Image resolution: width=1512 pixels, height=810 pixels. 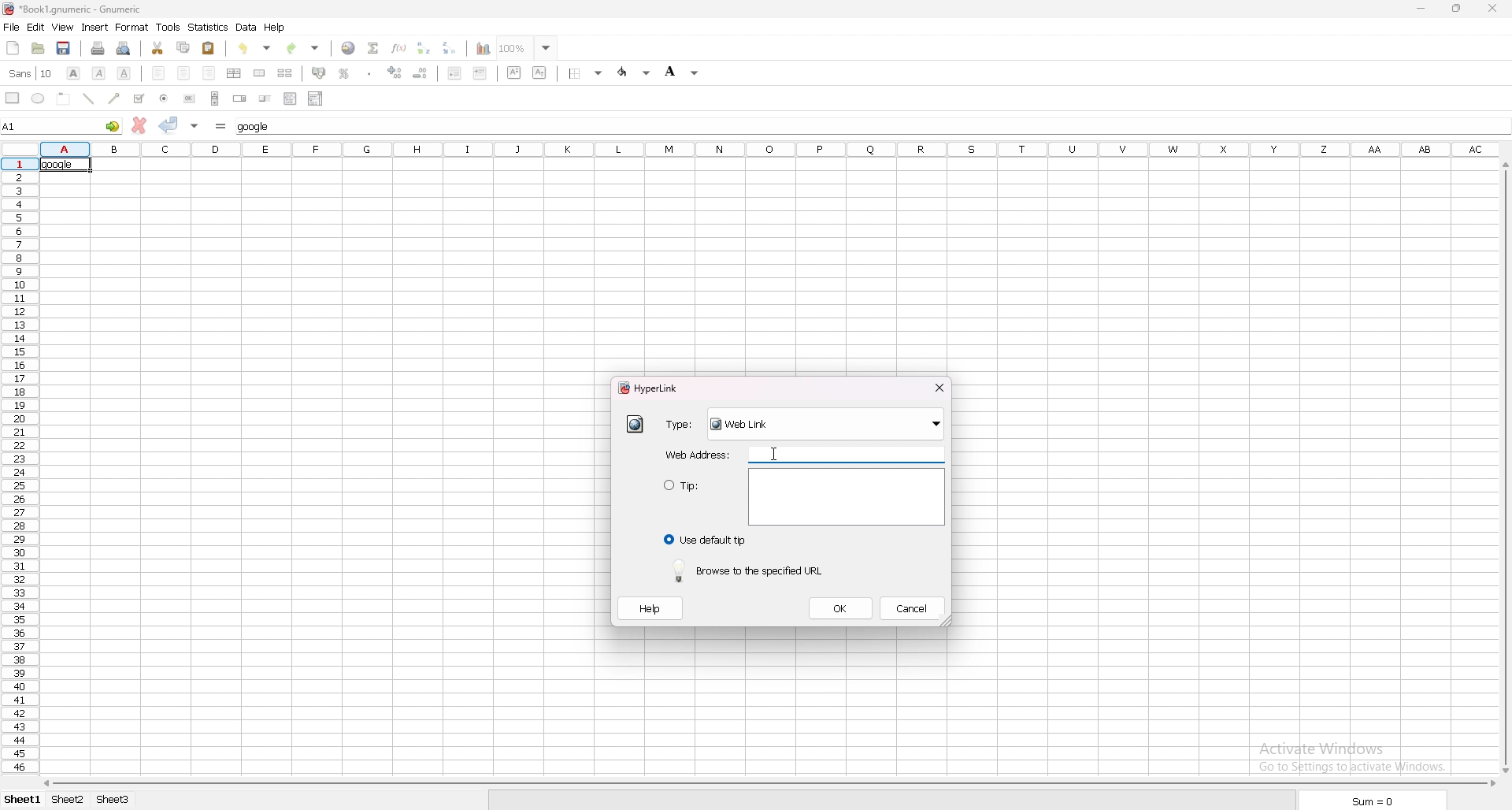 What do you see at coordinates (344, 73) in the screenshot?
I see `percentage` at bounding box center [344, 73].